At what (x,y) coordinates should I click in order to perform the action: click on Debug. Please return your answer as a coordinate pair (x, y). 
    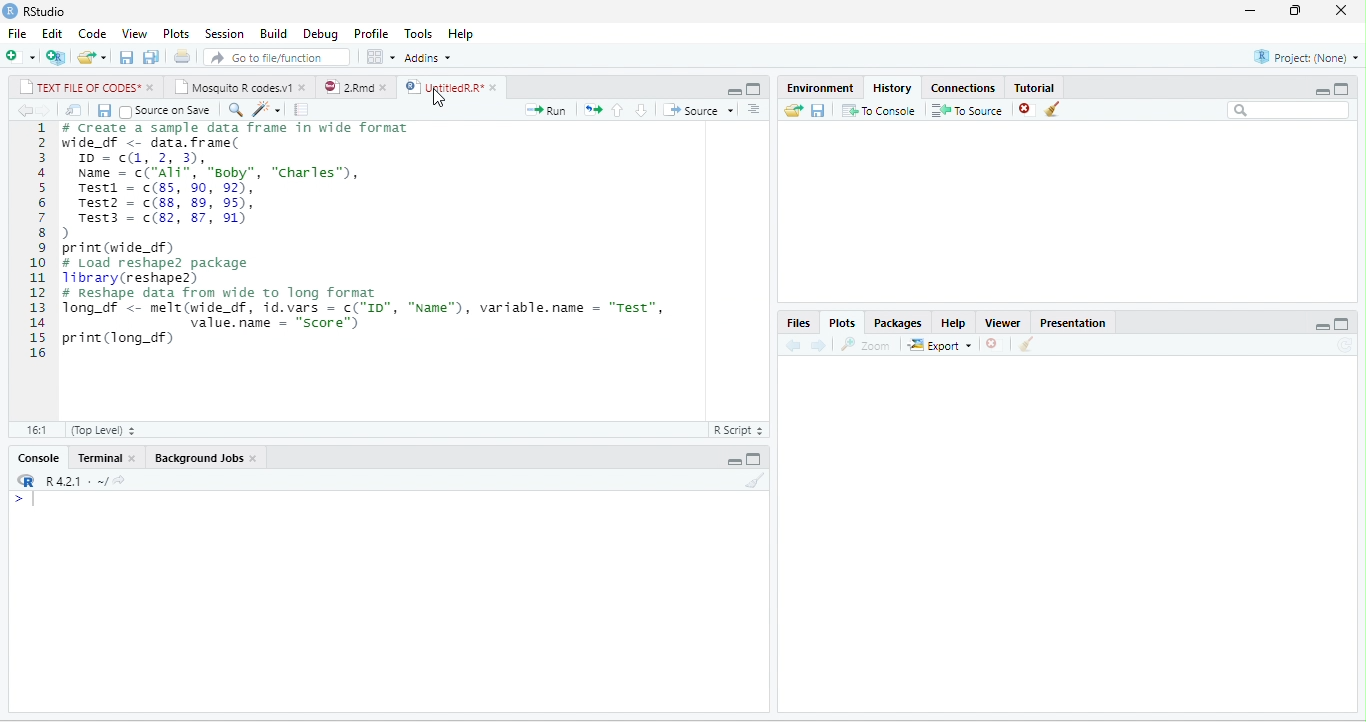
    Looking at the image, I should click on (322, 35).